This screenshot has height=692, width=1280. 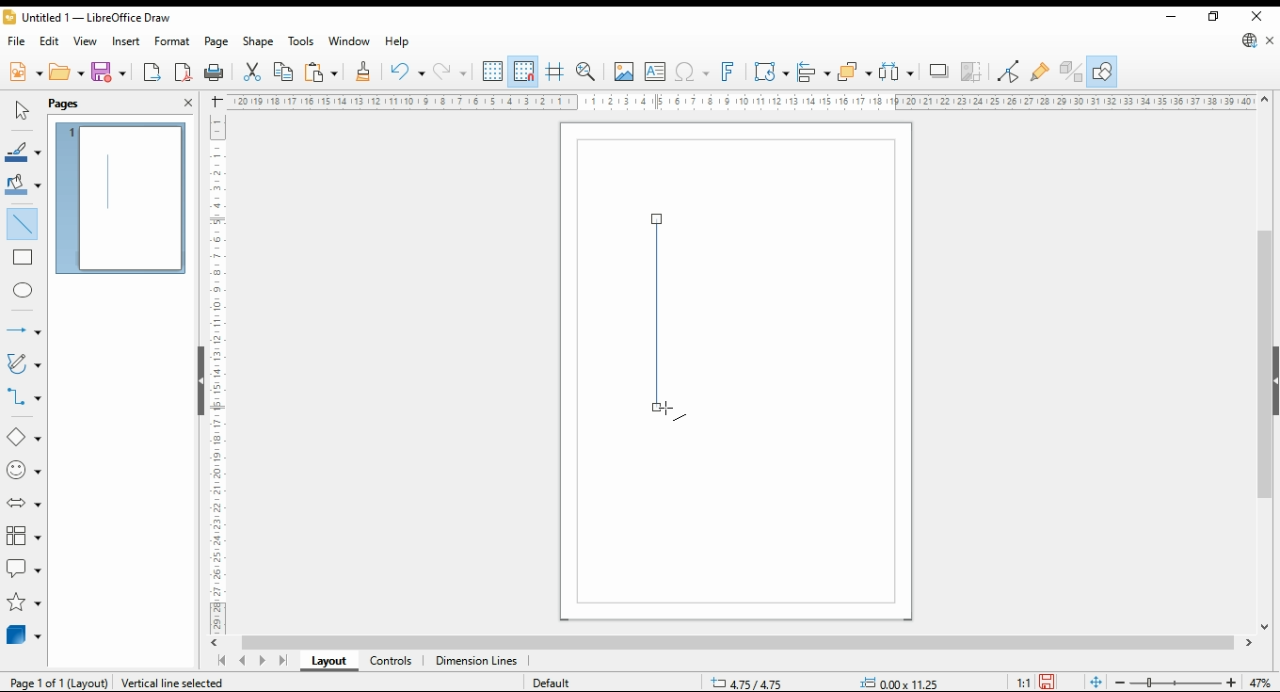 What do you see at coordinates (23, 332) in the screenshot?
I see `lines and arrows` at bounding box center [23, 332].